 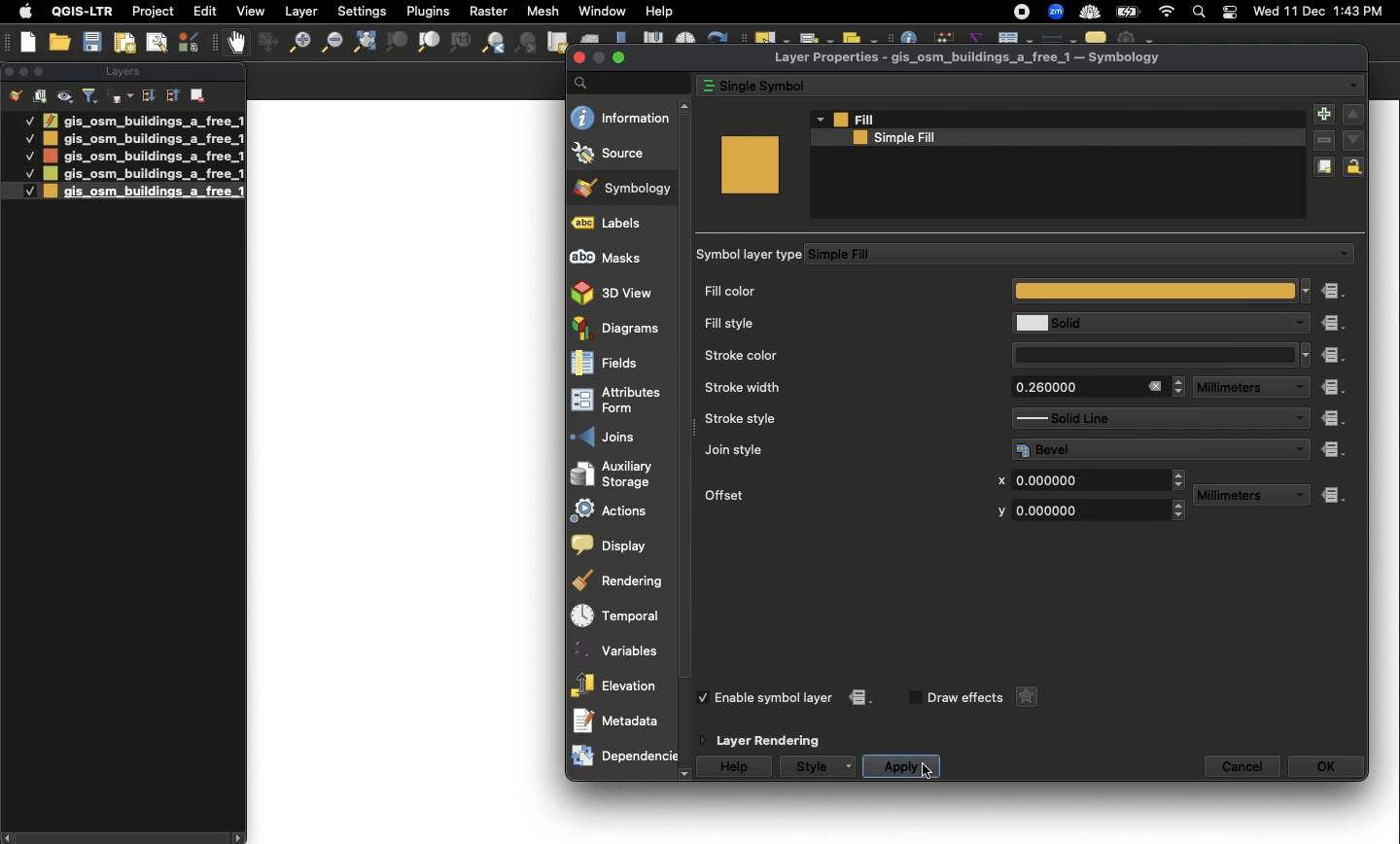 What do you see at coordinates (1154, 386) in the screenshot?
I see `Close` at bounding box center [1154, 386].